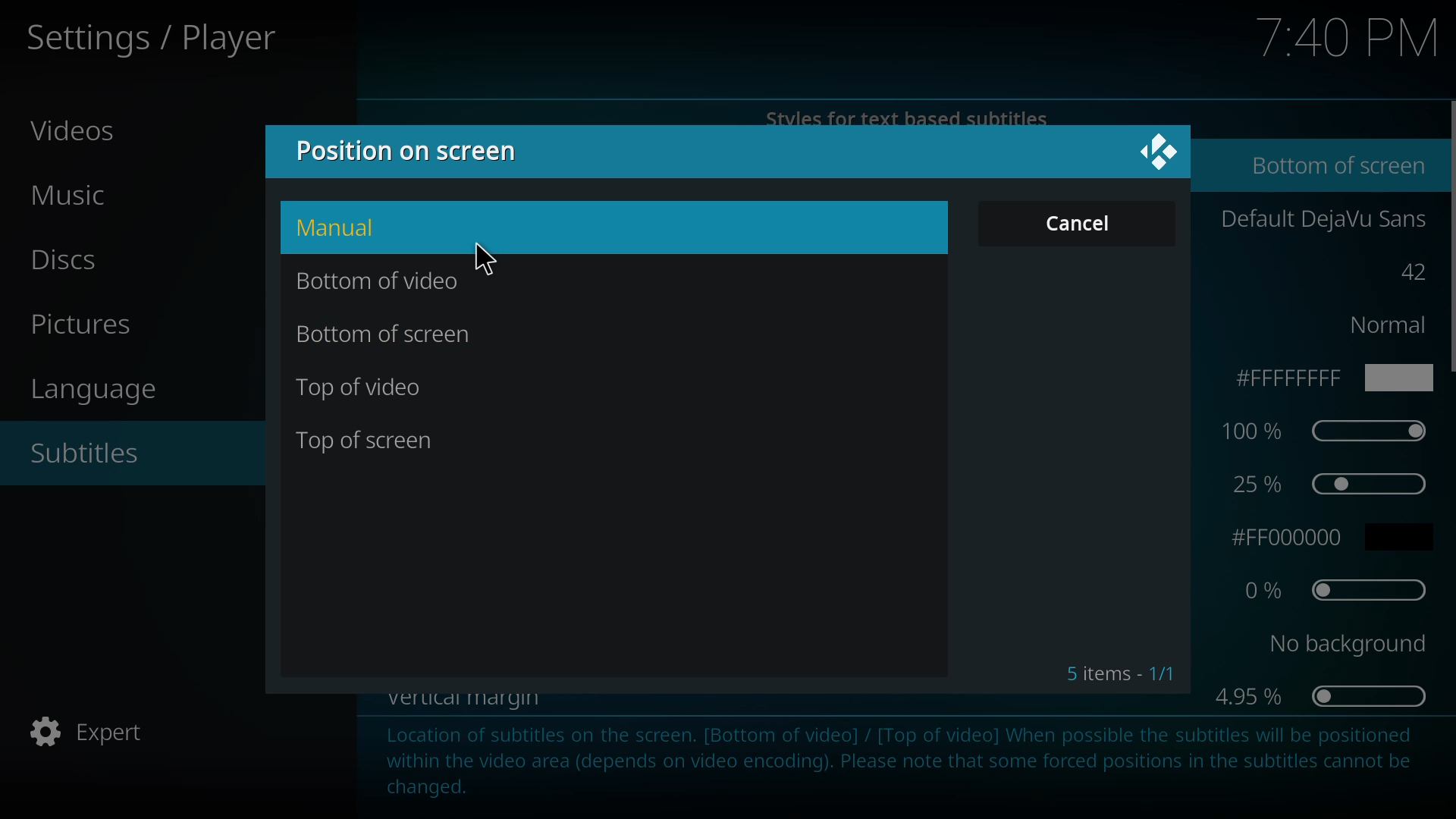 The height and width of the screenshot is (819, 1456). Describe the element at coordinates (340, 227) in the screenshot. I see `manual` at that location.